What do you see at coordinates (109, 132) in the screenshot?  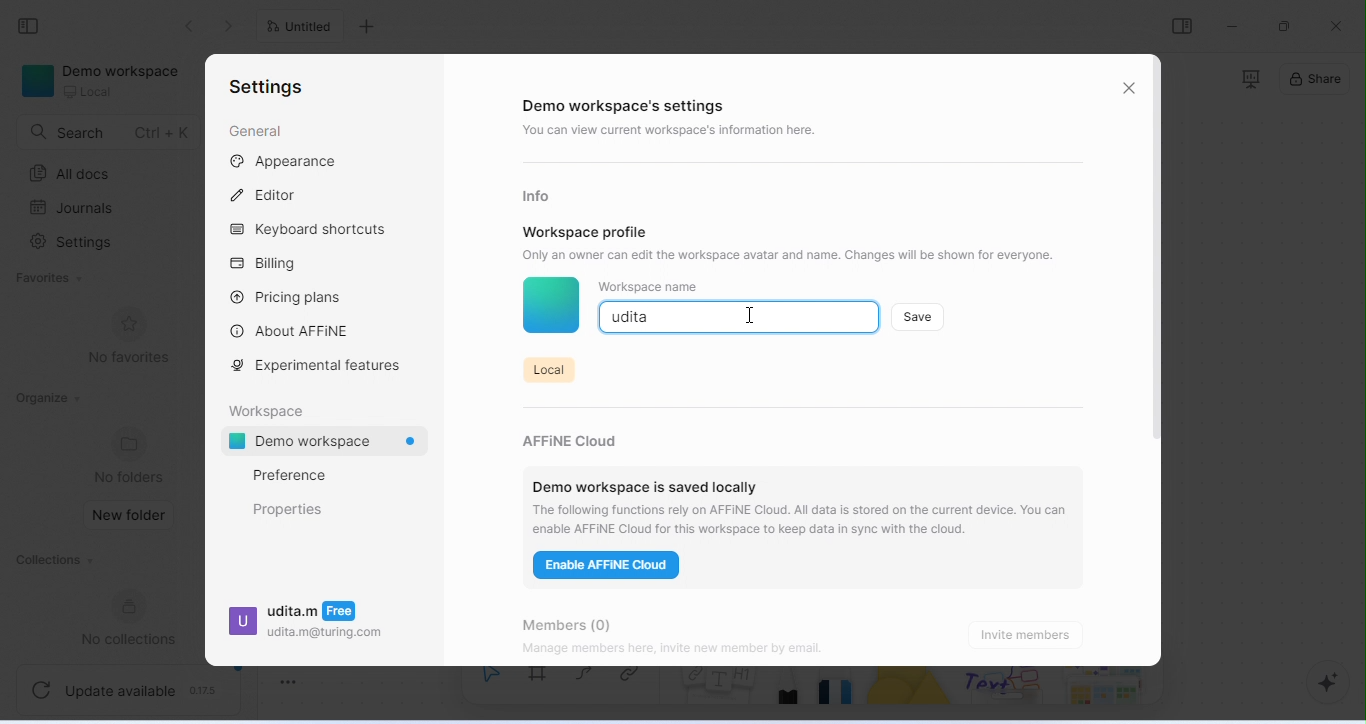 I see `search` at bounding box center [109, 132].